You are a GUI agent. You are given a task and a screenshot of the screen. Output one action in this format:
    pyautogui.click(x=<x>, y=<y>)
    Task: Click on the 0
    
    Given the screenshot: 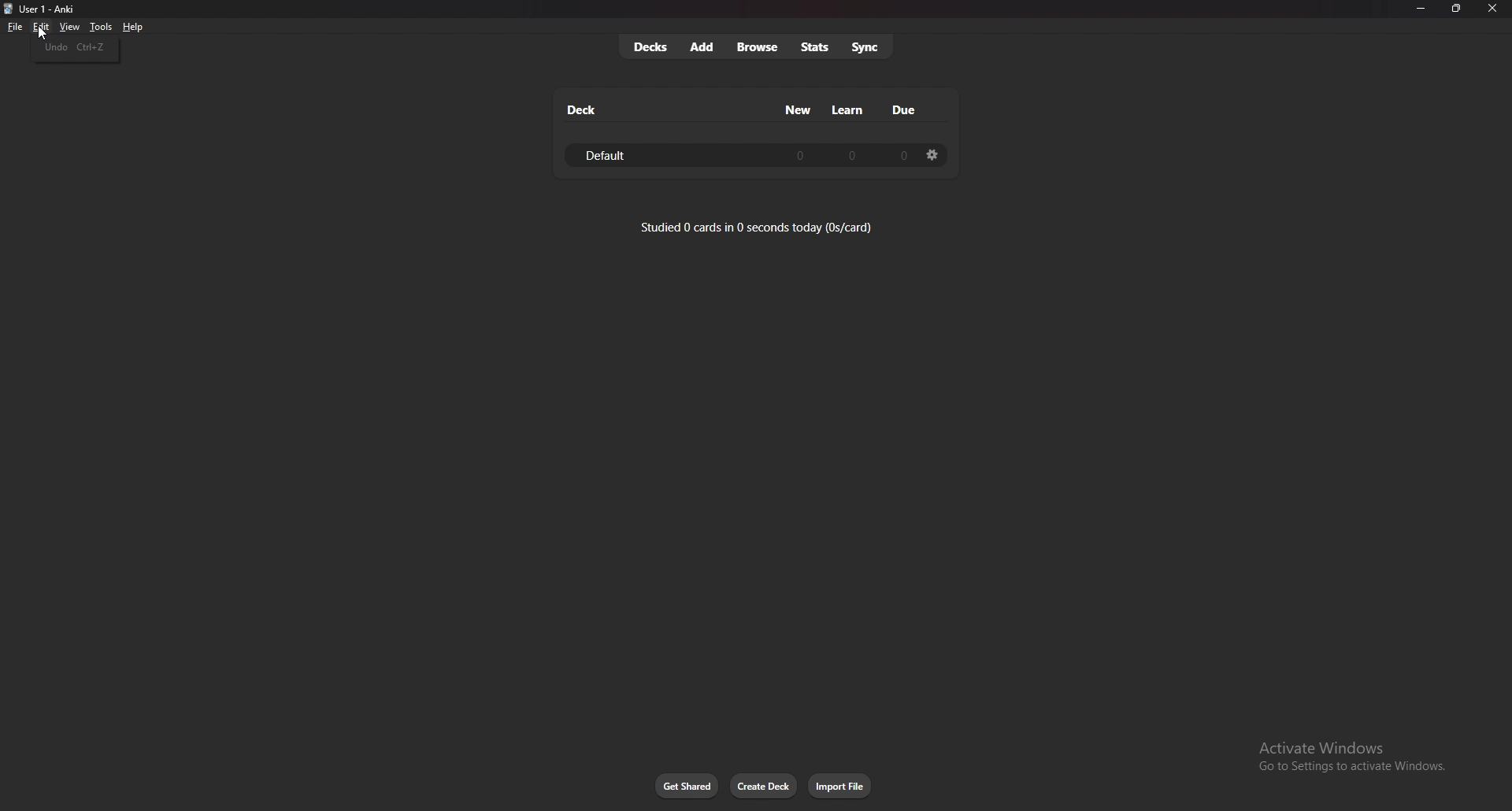 What is the action you would take?
    pyautogui.click(x=851, y=156)
    